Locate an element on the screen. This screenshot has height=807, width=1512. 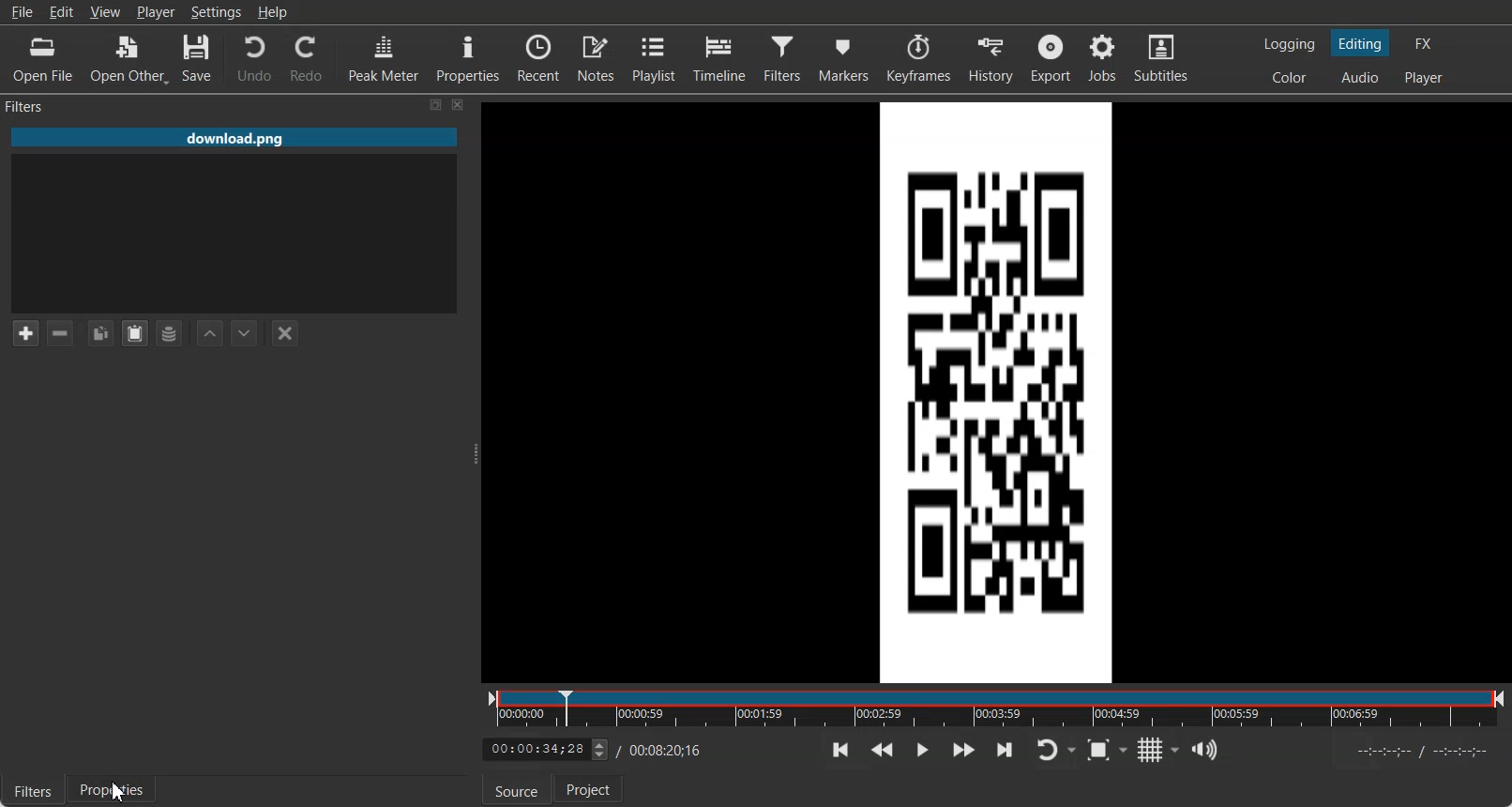
Filters is located at coordinates (27, 108).